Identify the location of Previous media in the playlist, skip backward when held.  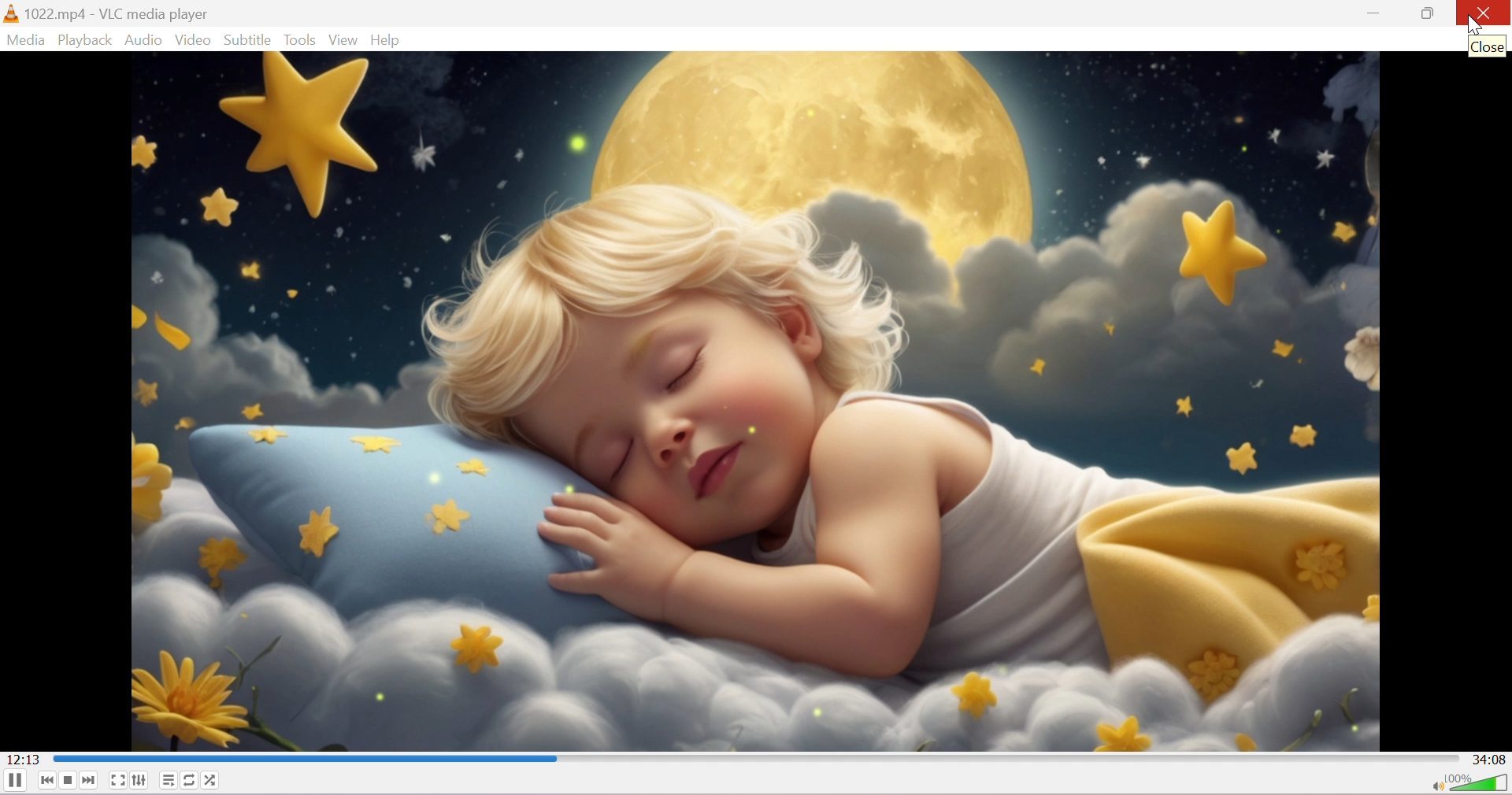
(45, 781).